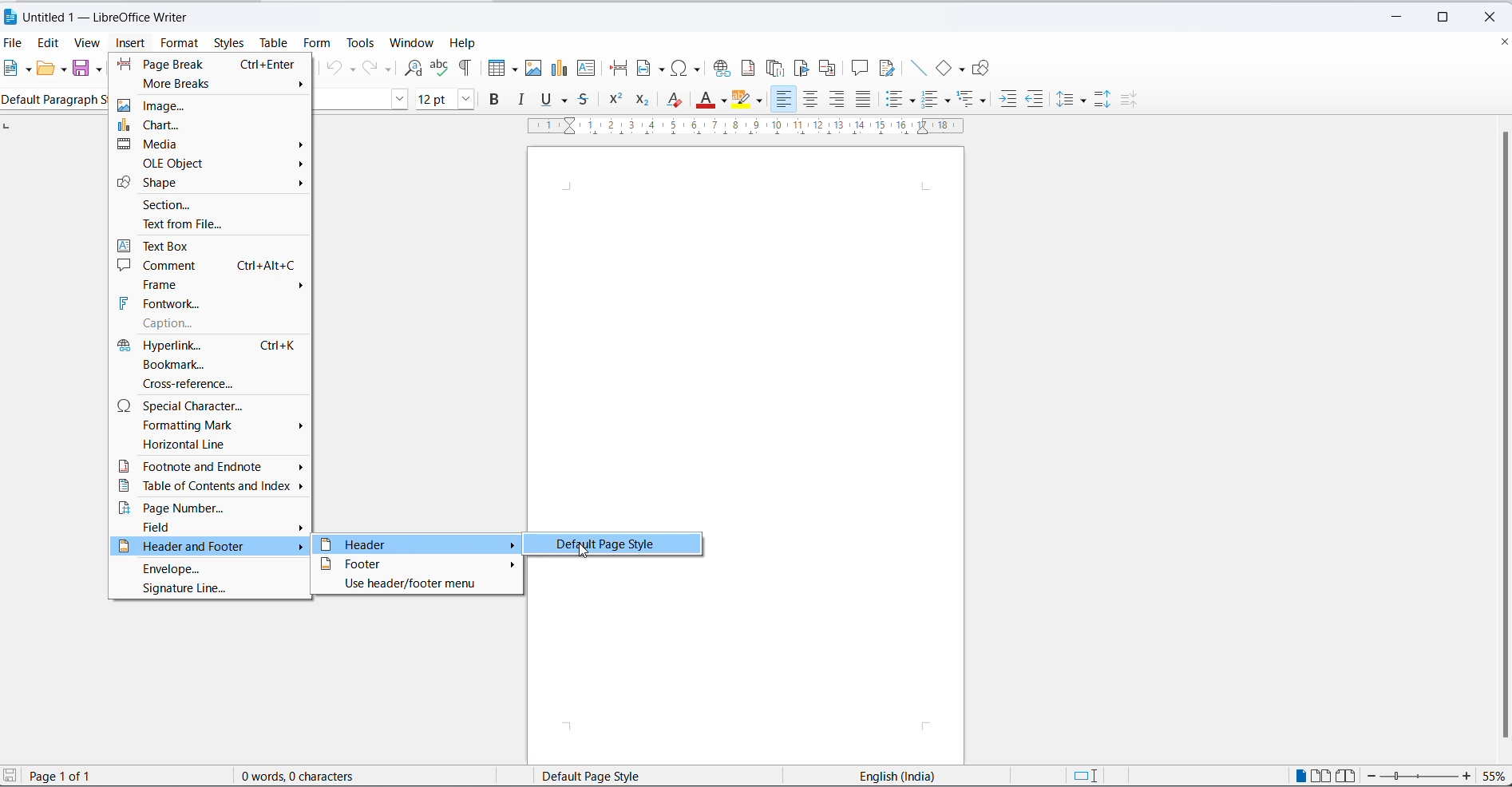 Image resolution: width=1512 pixels, height=787 pixels. Describe the element at coordinates (610, 775) in the screenshot. I see `page style` at that location.